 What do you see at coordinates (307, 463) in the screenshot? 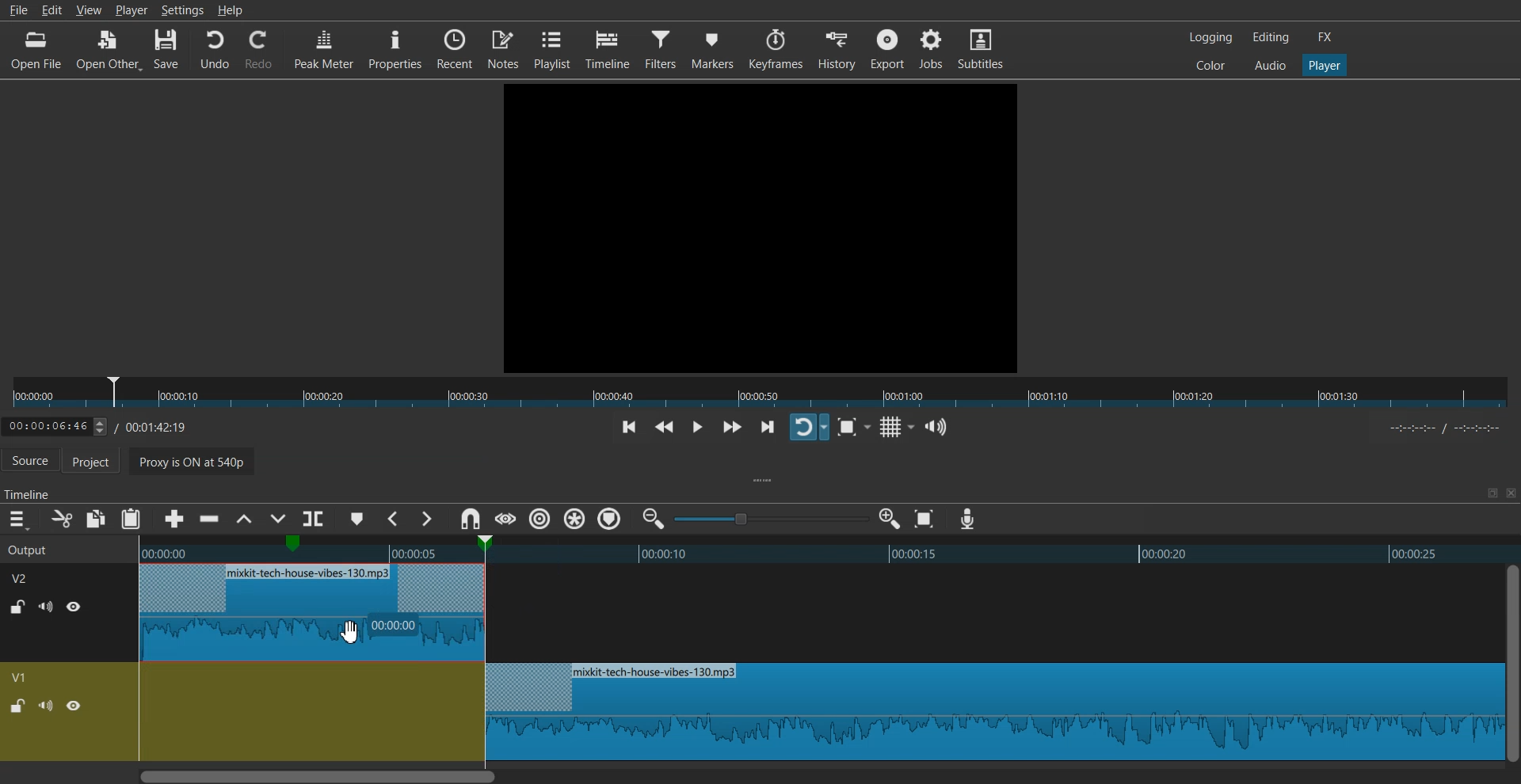
I see `Proxy is ON at 540p` at bounding box center [307, 463].